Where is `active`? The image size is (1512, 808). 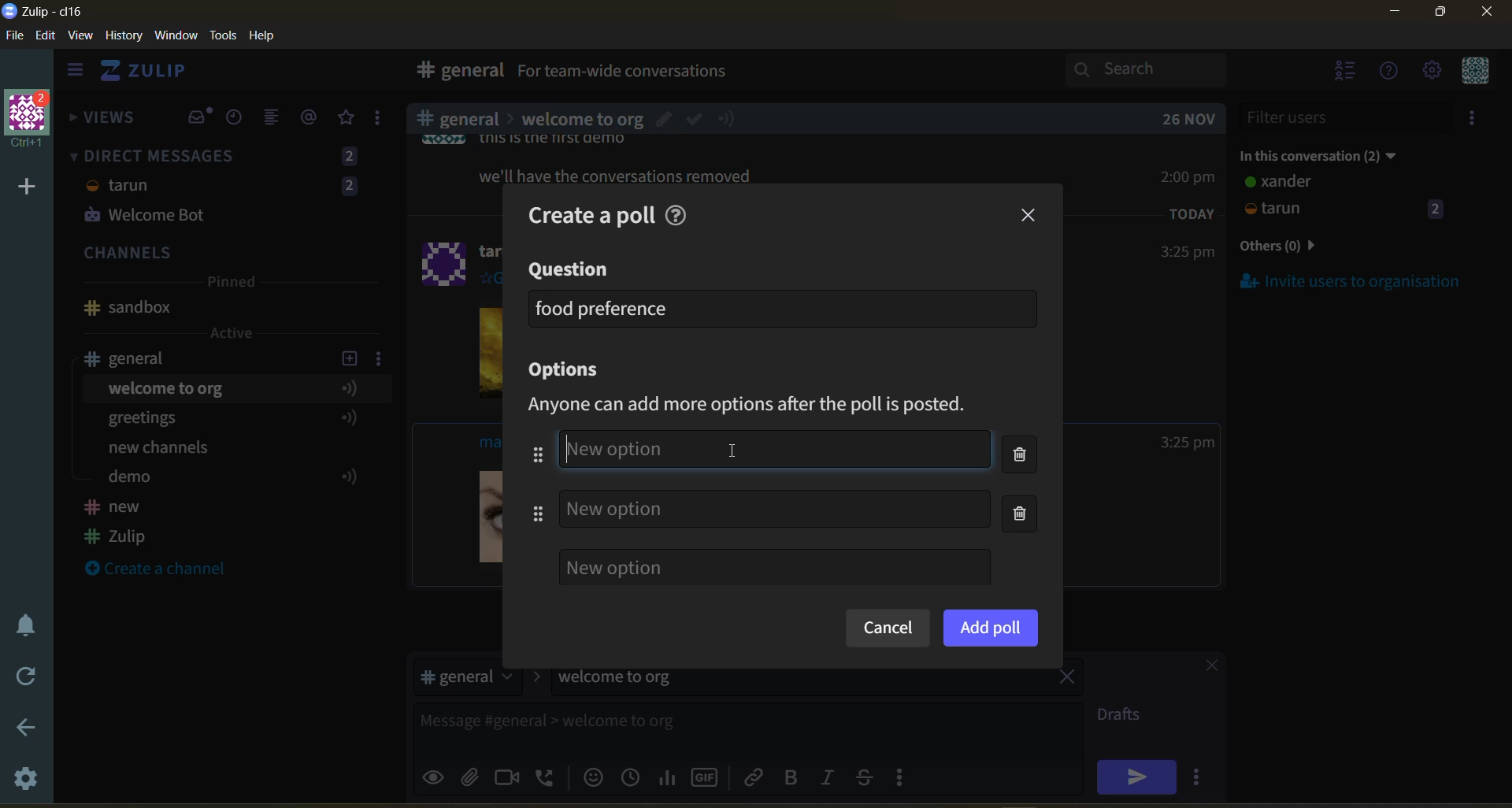 active is located at coordinates (233, 333).